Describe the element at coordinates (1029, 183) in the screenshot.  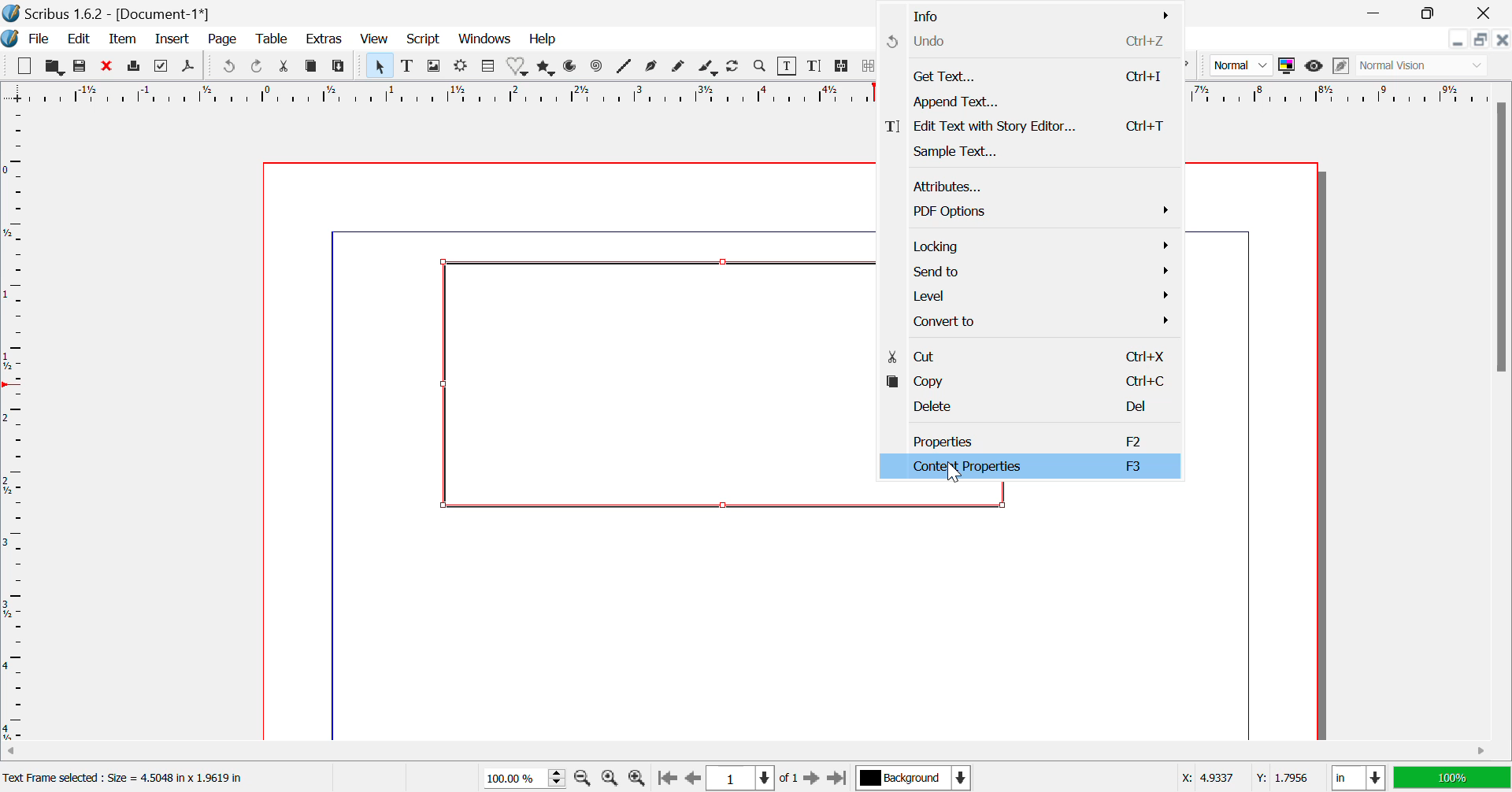
I see `Attributes` at that location.